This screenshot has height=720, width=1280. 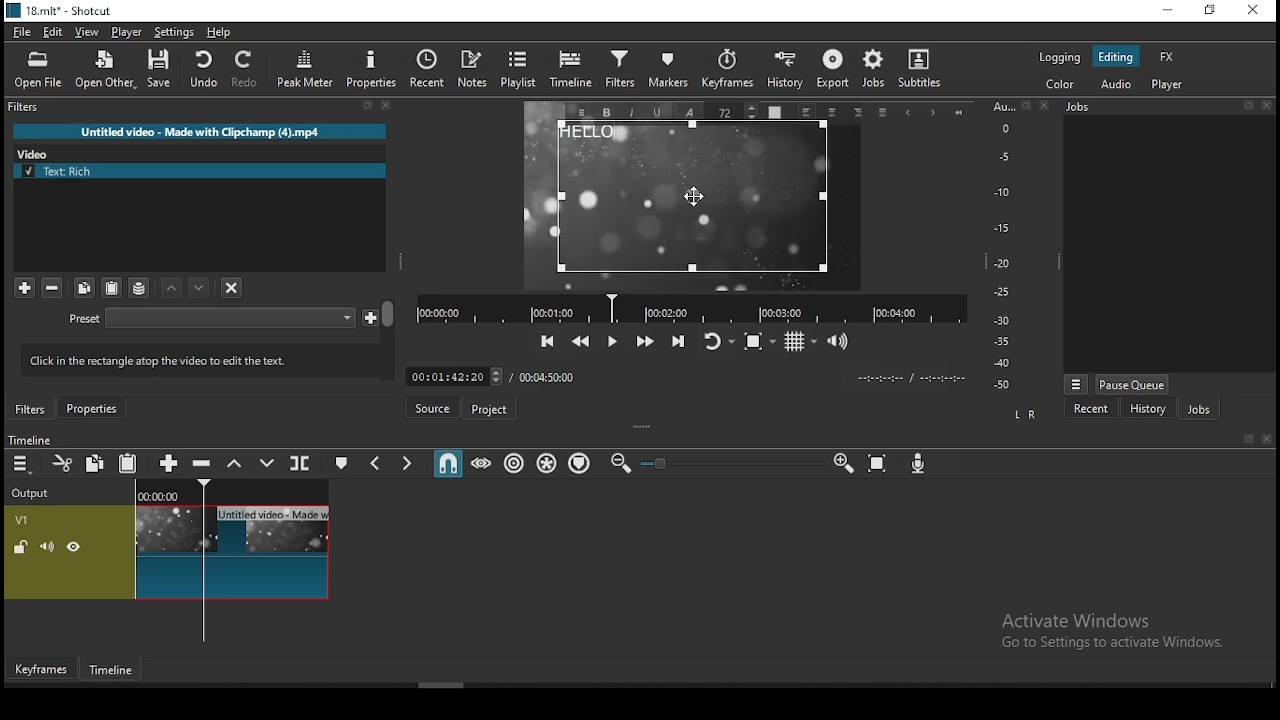 I want to click on history, so click(x=784, y=73).